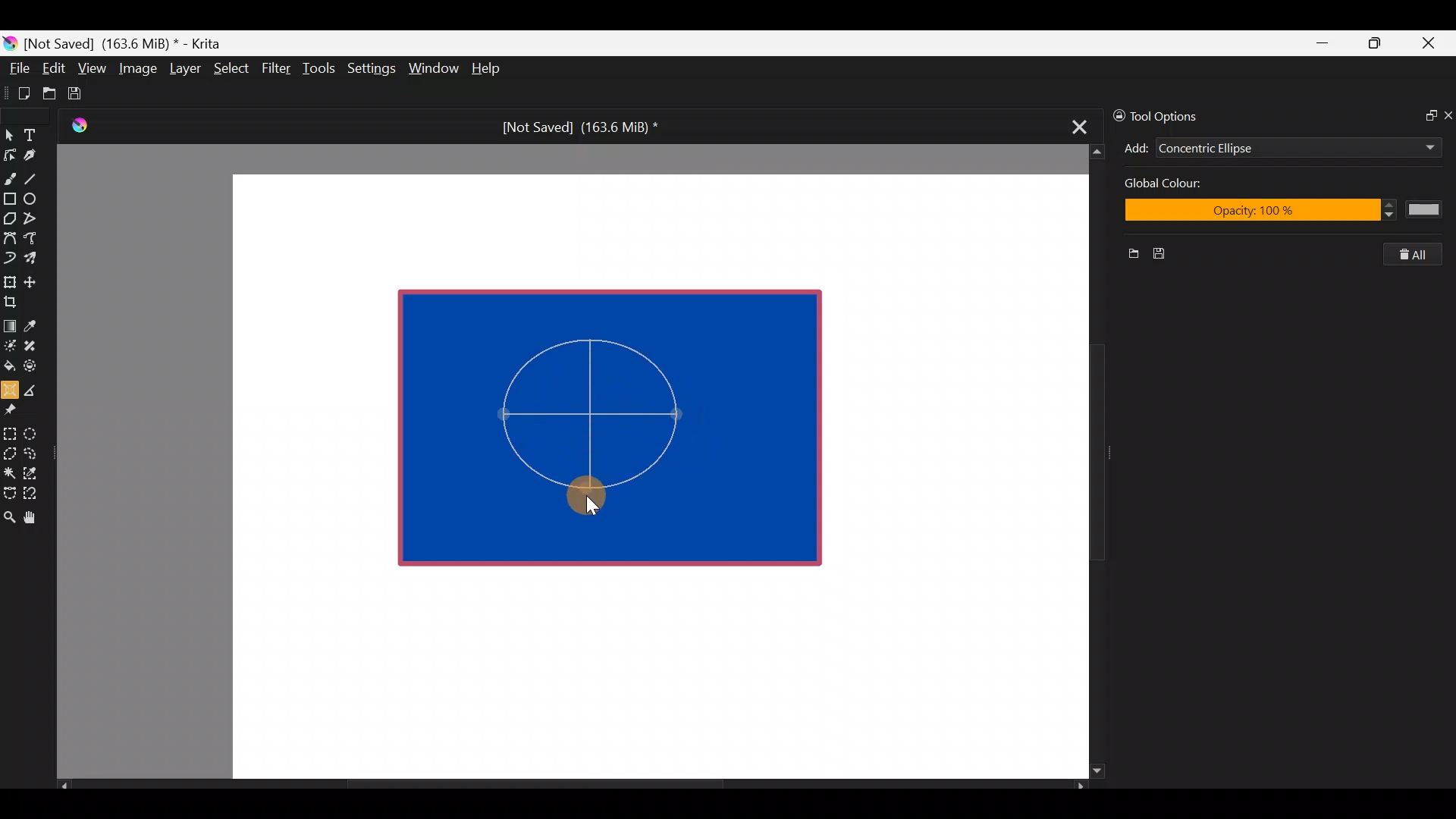 The height and width of the screenshot is (819, 1456). What do you see at coordinates (10, 173) in the screenshot?
I see `Freehand brush tool` at bounding box center [10, 173].